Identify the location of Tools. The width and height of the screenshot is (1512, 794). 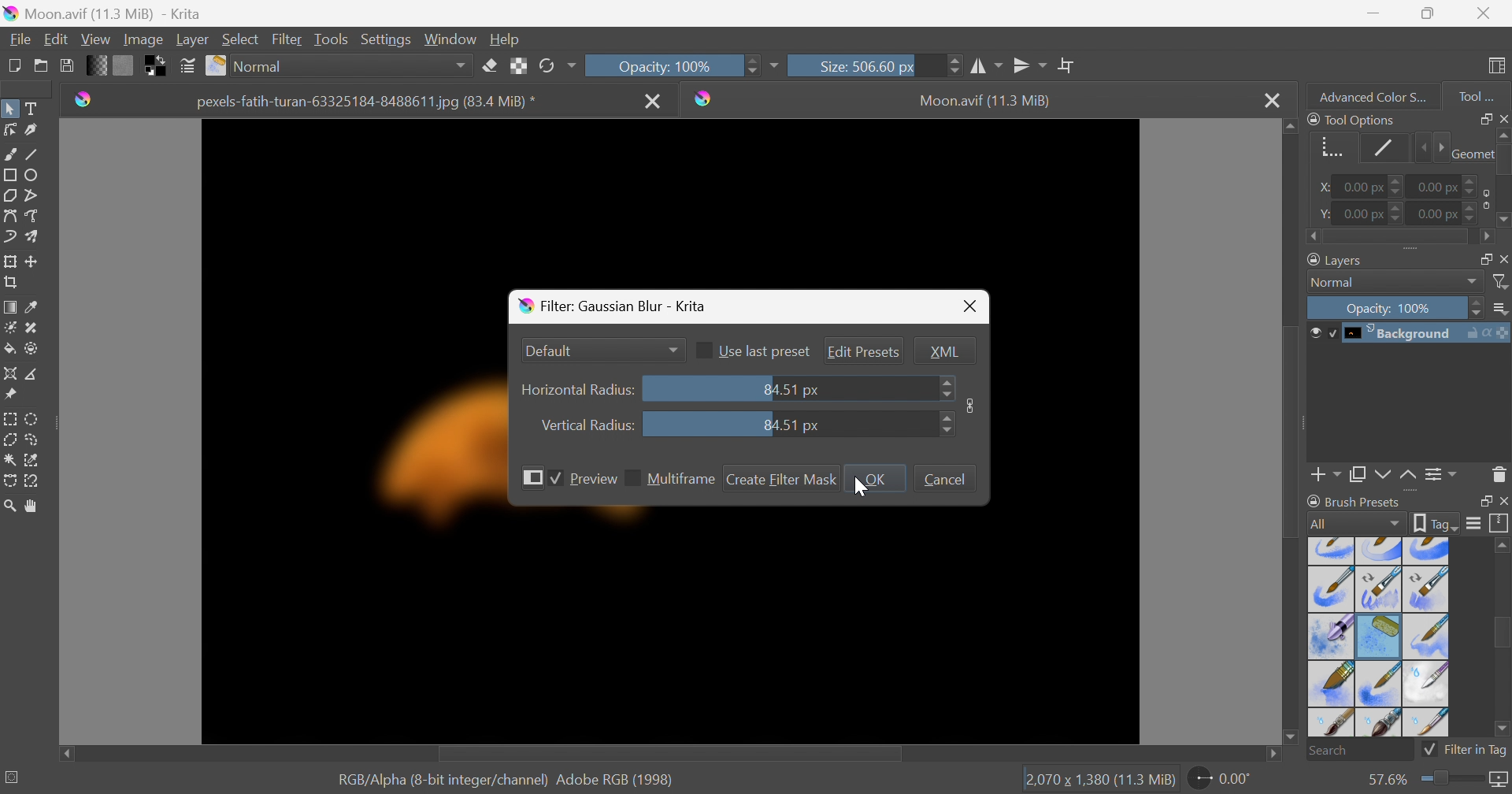
(330, 40).